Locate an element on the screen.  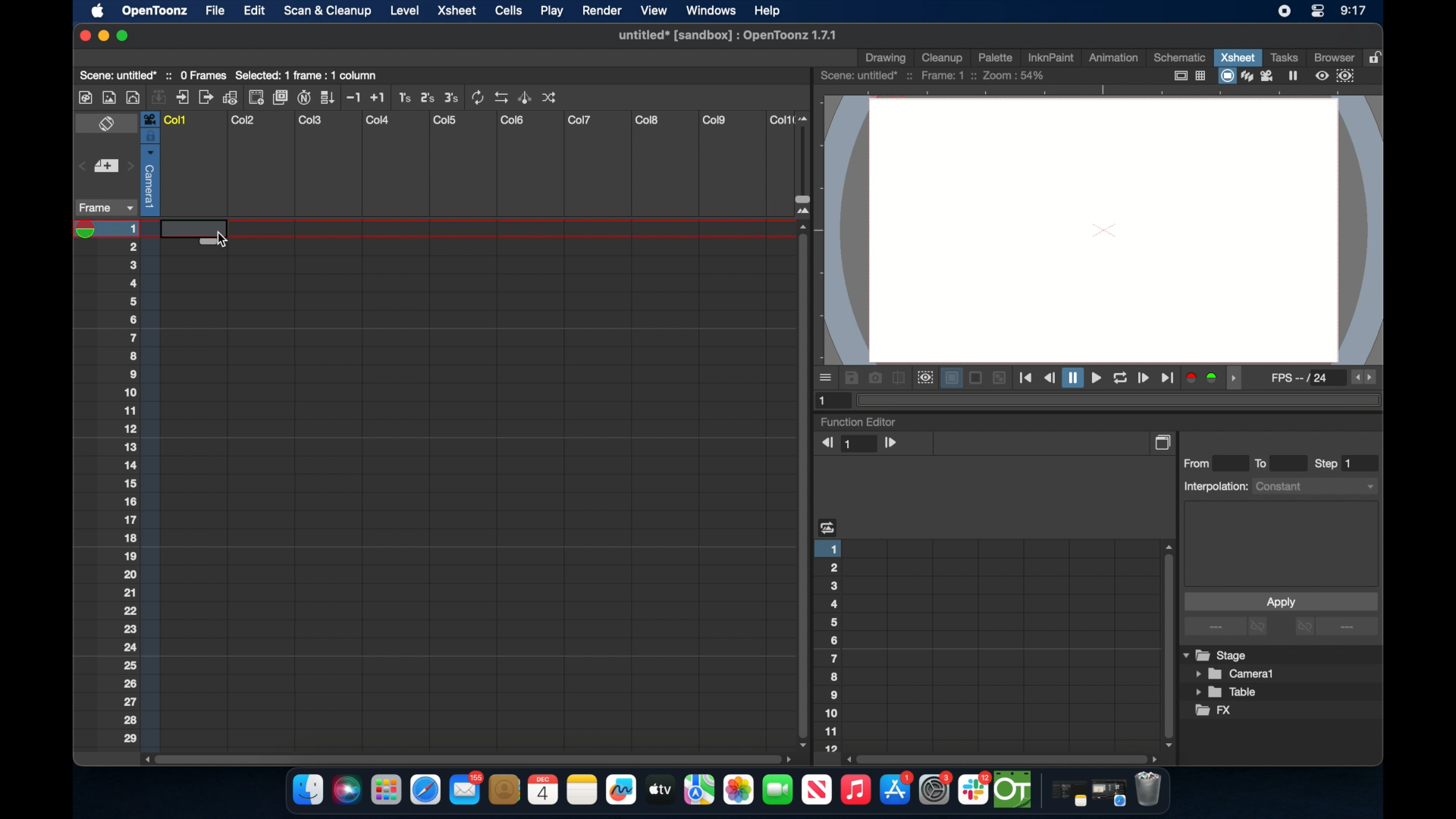
more options is located at coordinates (1336, 628).